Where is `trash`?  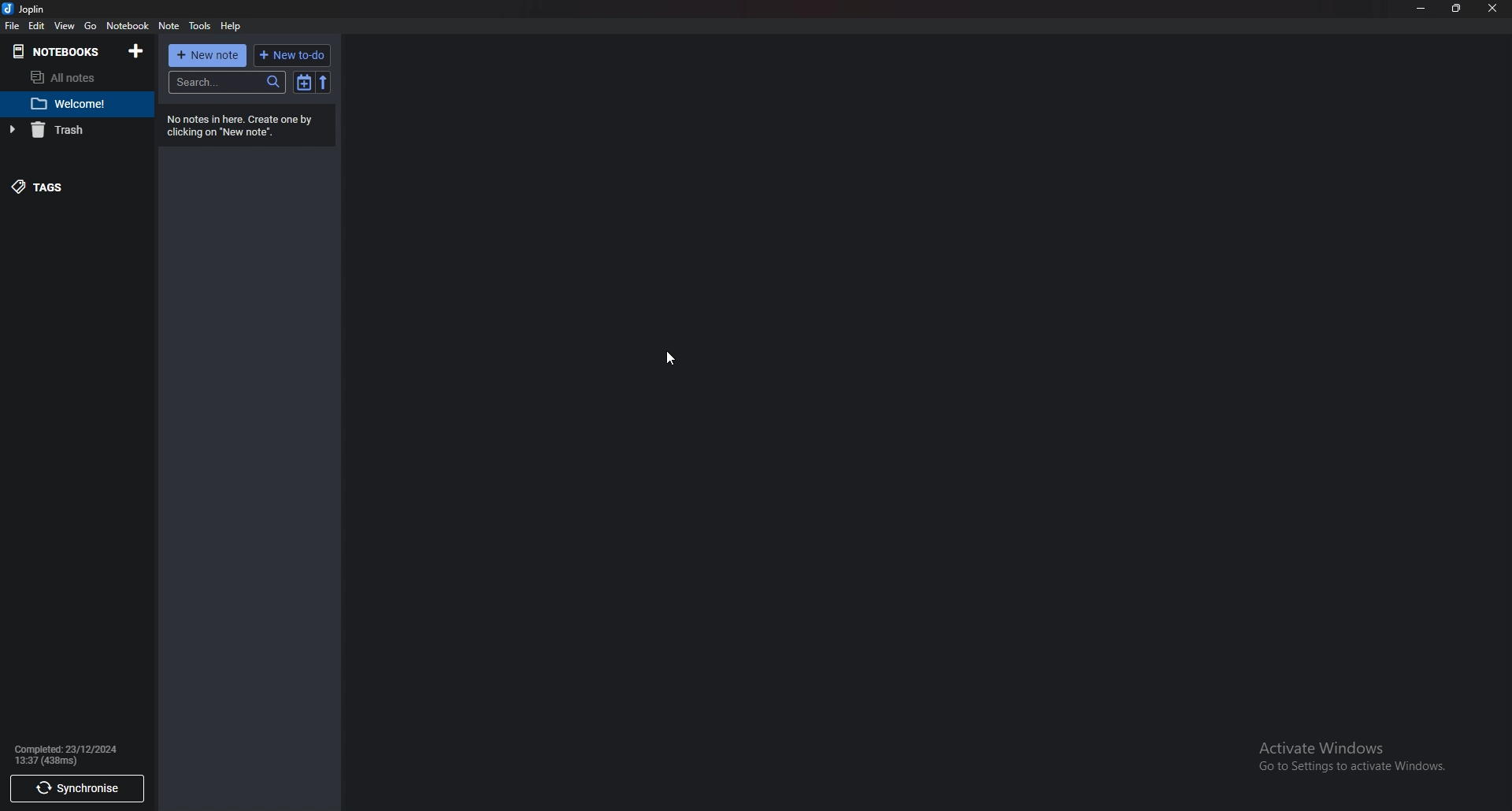
trash is located at coordinates (70, 129).